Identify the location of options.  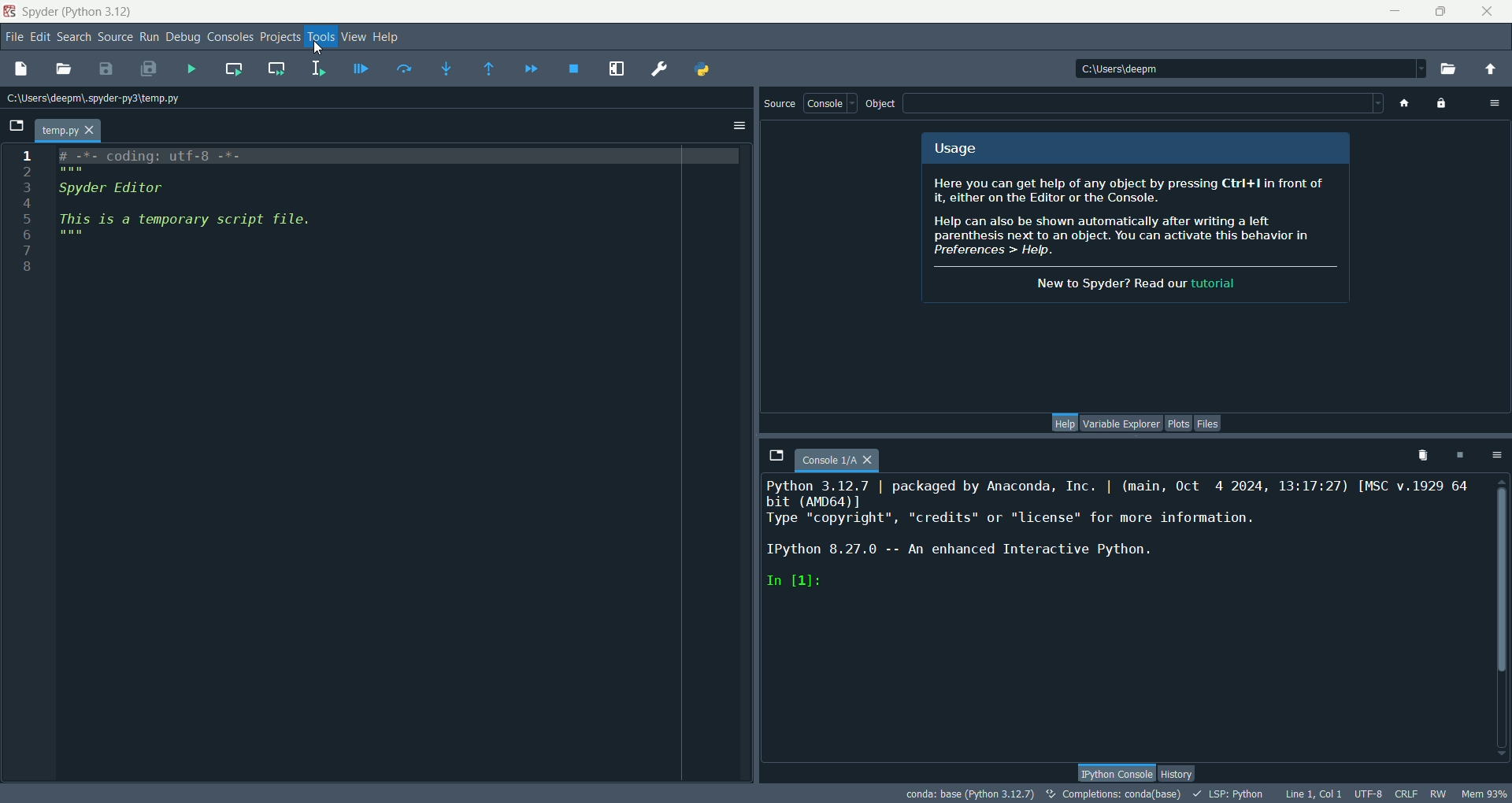
(1495, 101).